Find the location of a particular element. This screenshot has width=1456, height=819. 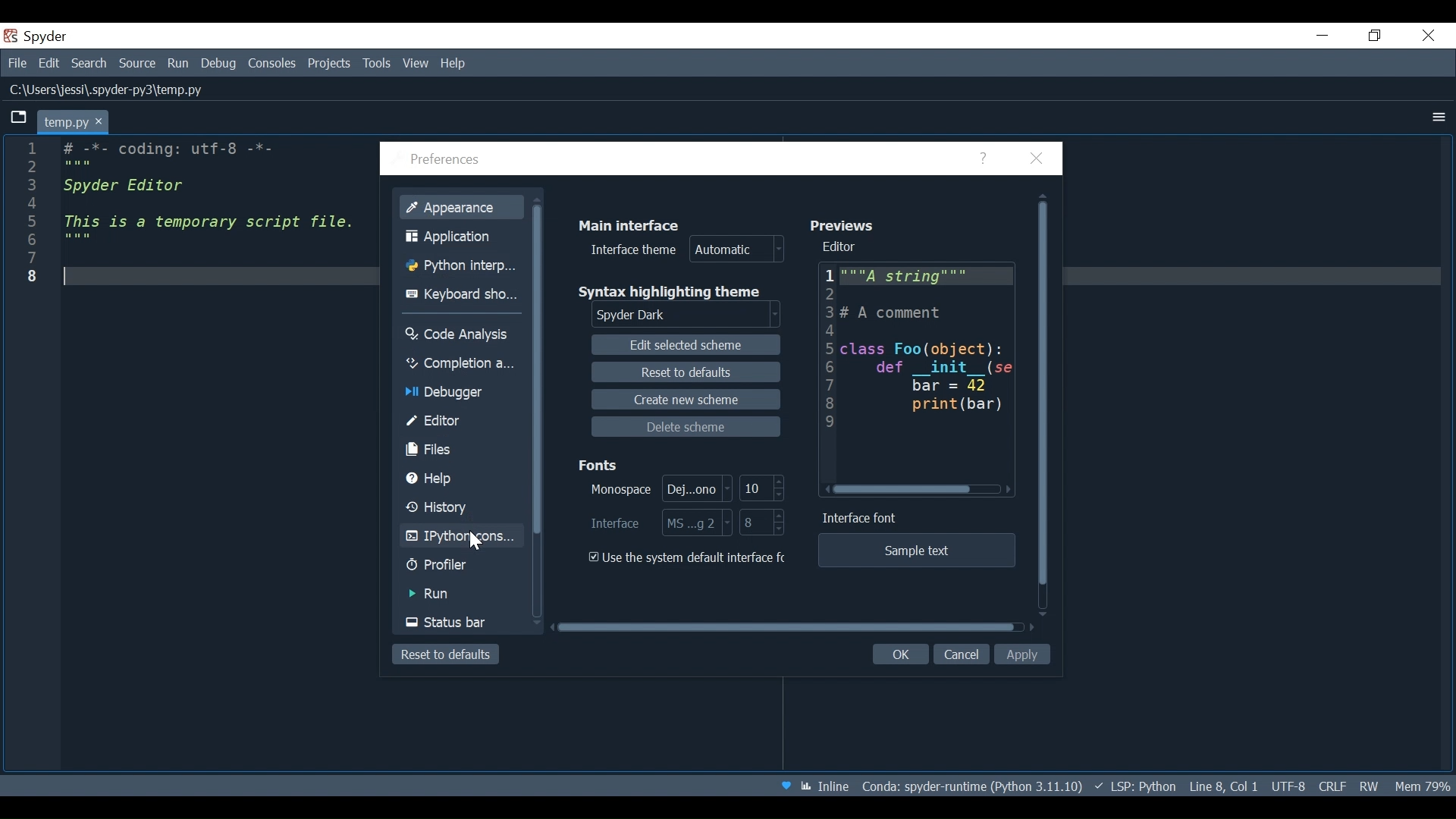

OK is located at coordinates (901, 657).